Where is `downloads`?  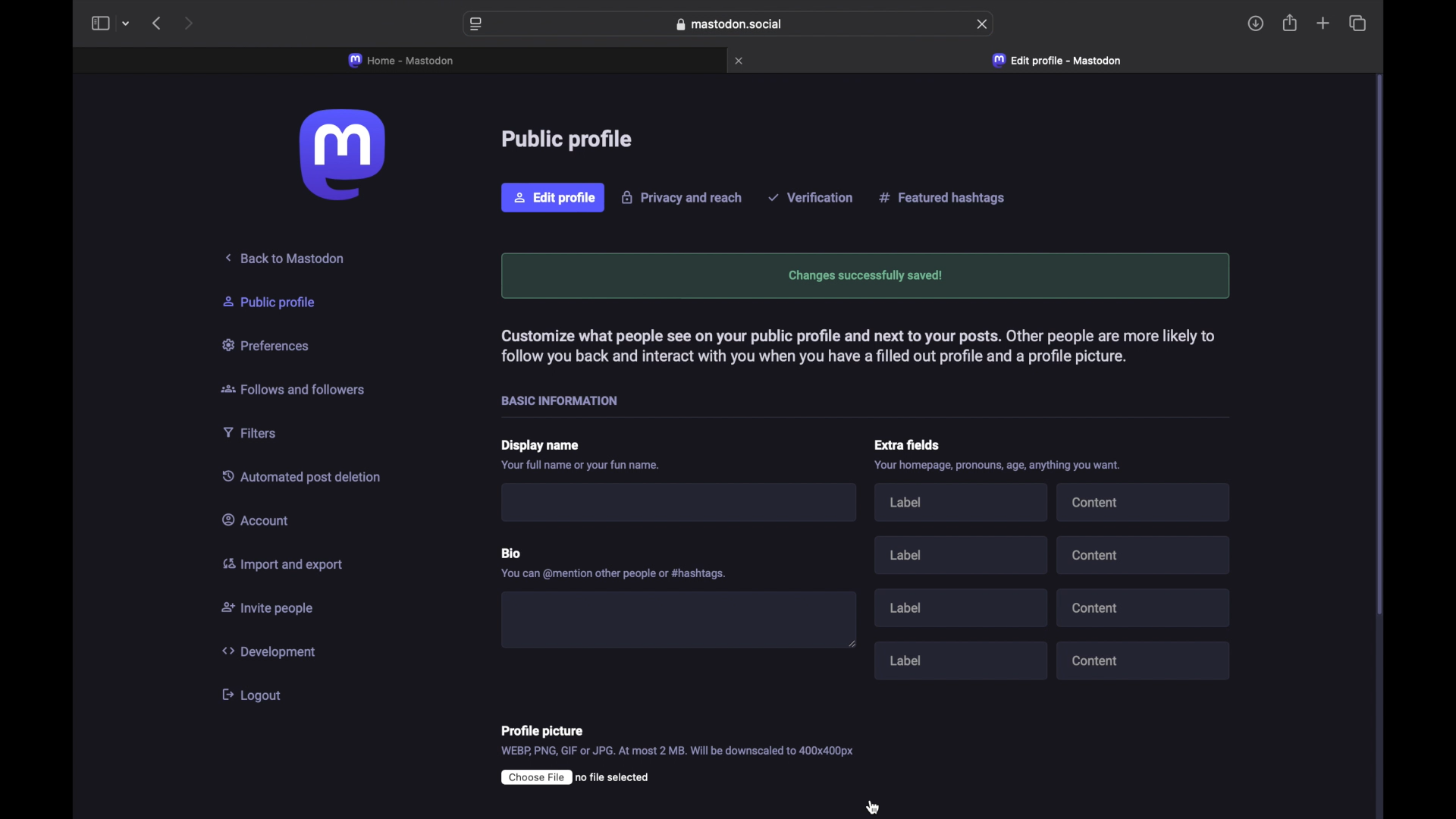
downloads is located at coordinates (1256, 24).